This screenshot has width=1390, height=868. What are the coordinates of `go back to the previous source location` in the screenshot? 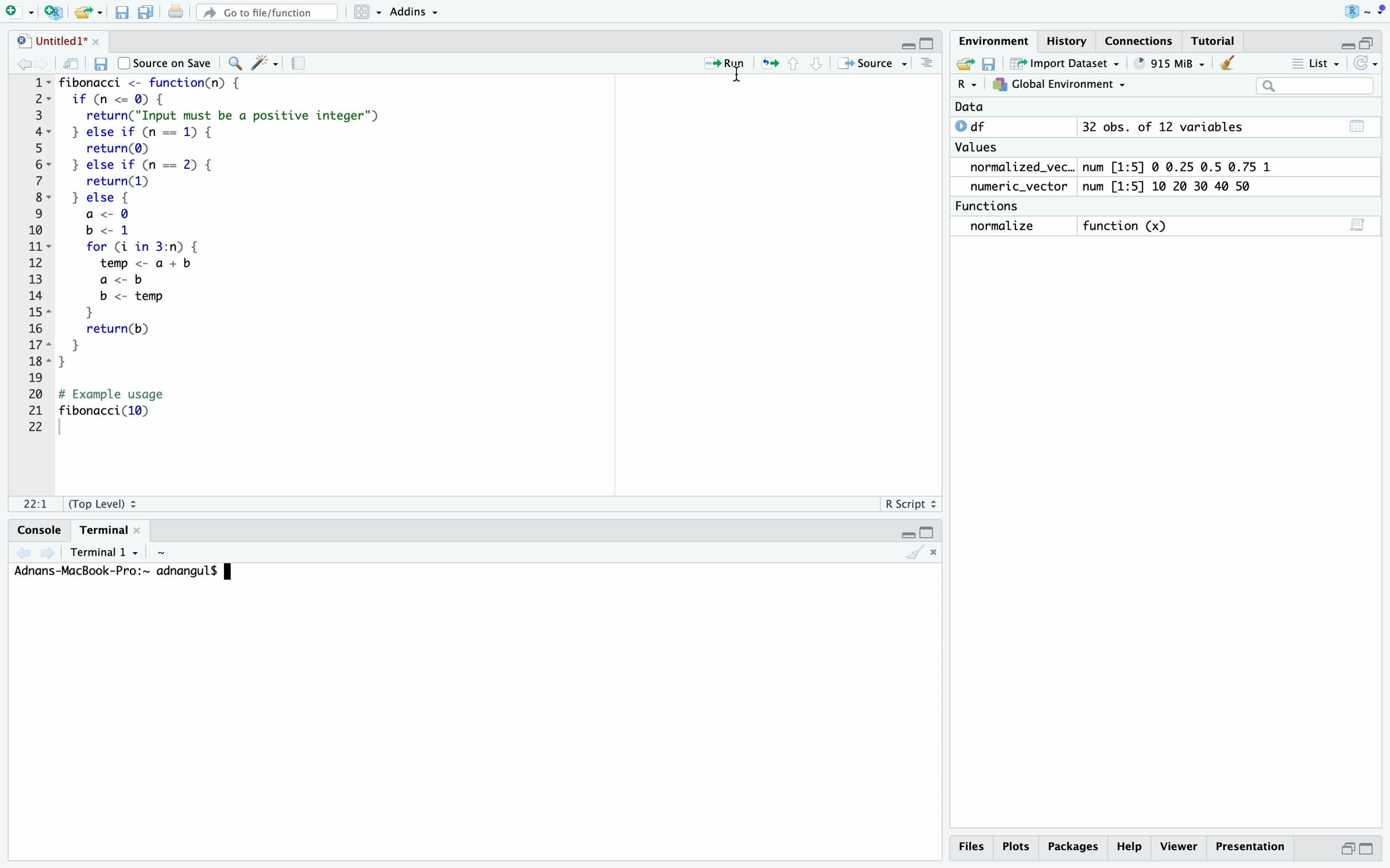 It's located at (15, 64).